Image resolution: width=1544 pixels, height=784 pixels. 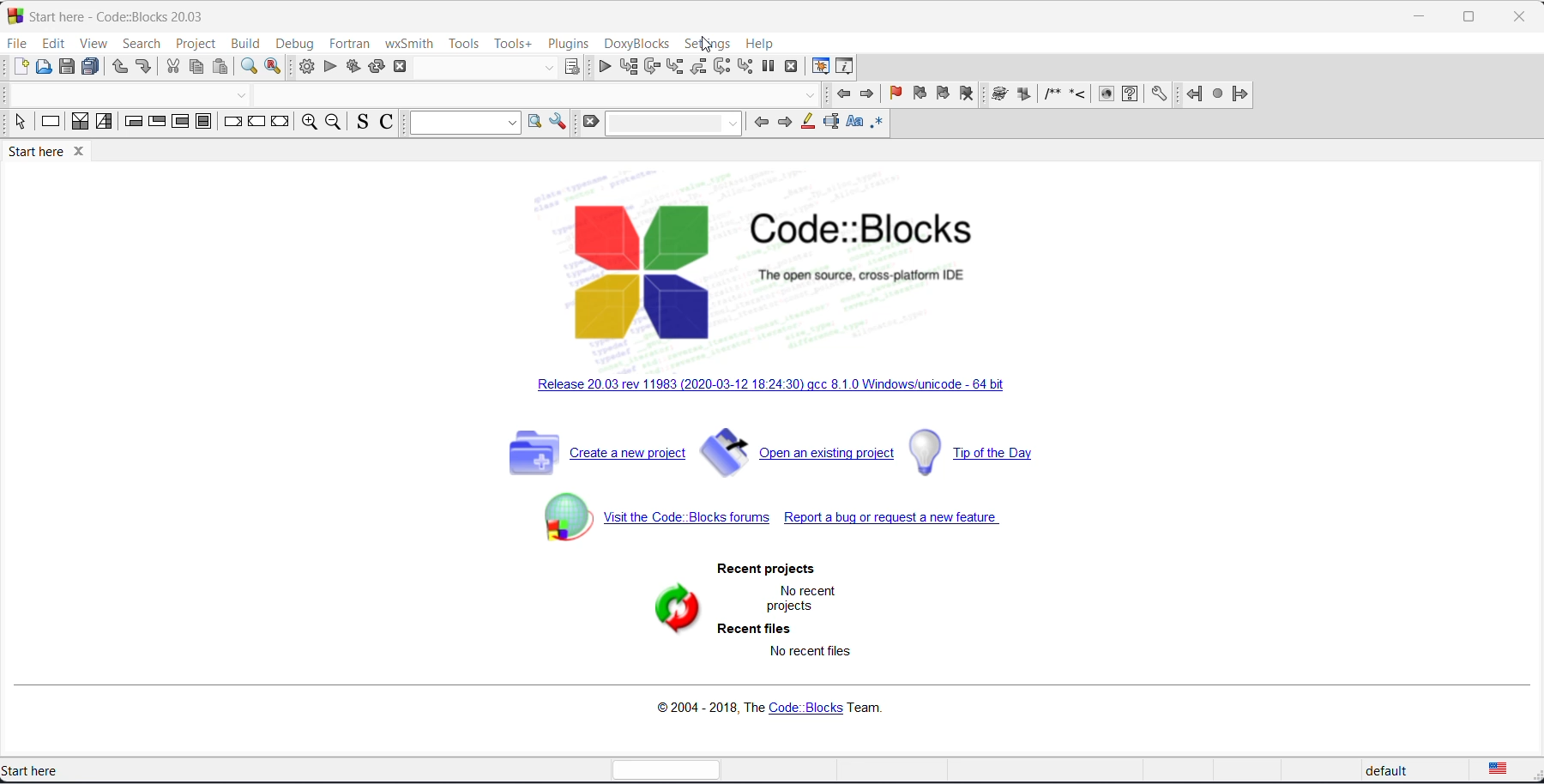 I want to click on dropdown, so click(x=808, y=96).